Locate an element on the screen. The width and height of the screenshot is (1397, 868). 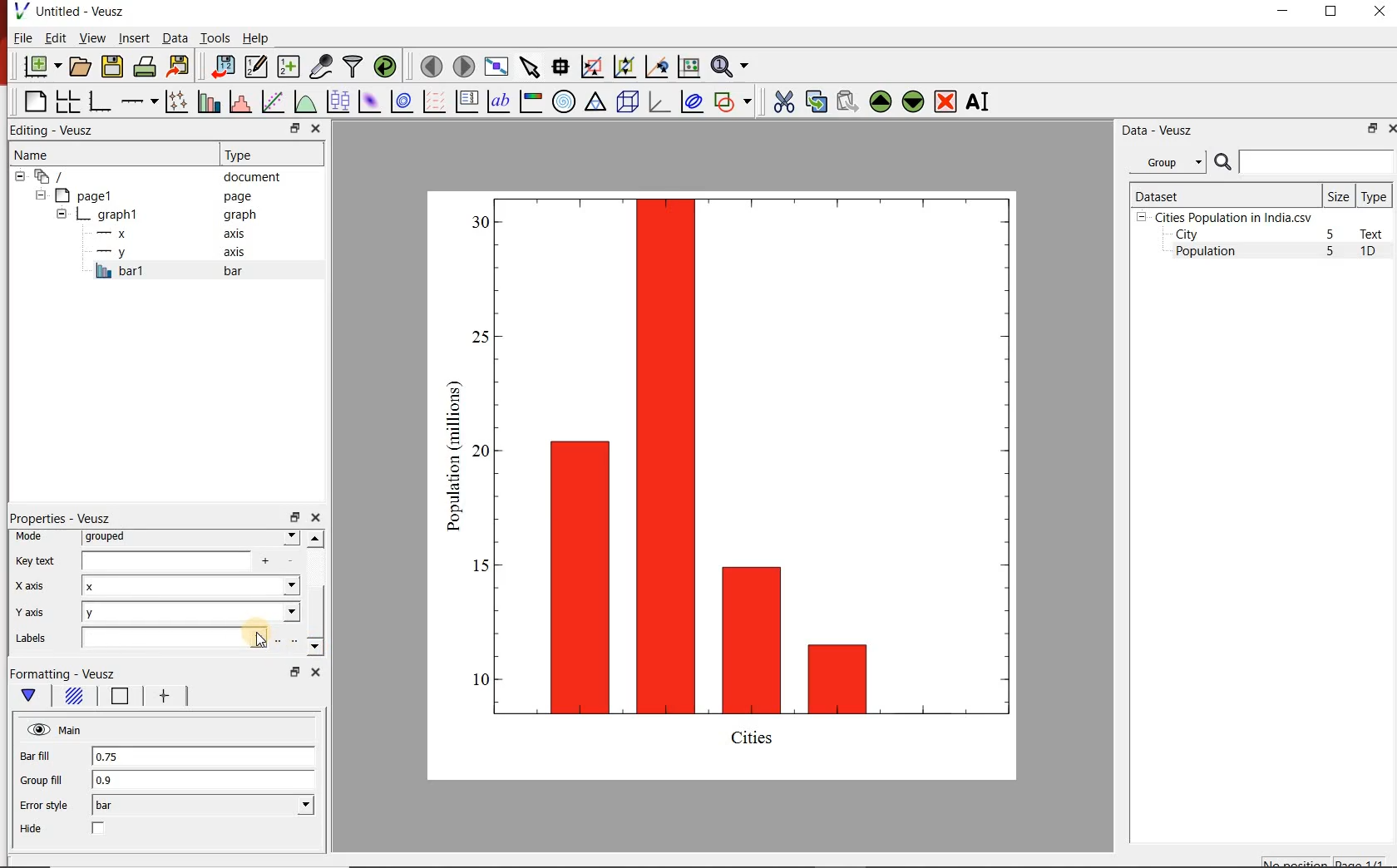
File is located at coordinates (23, 37).